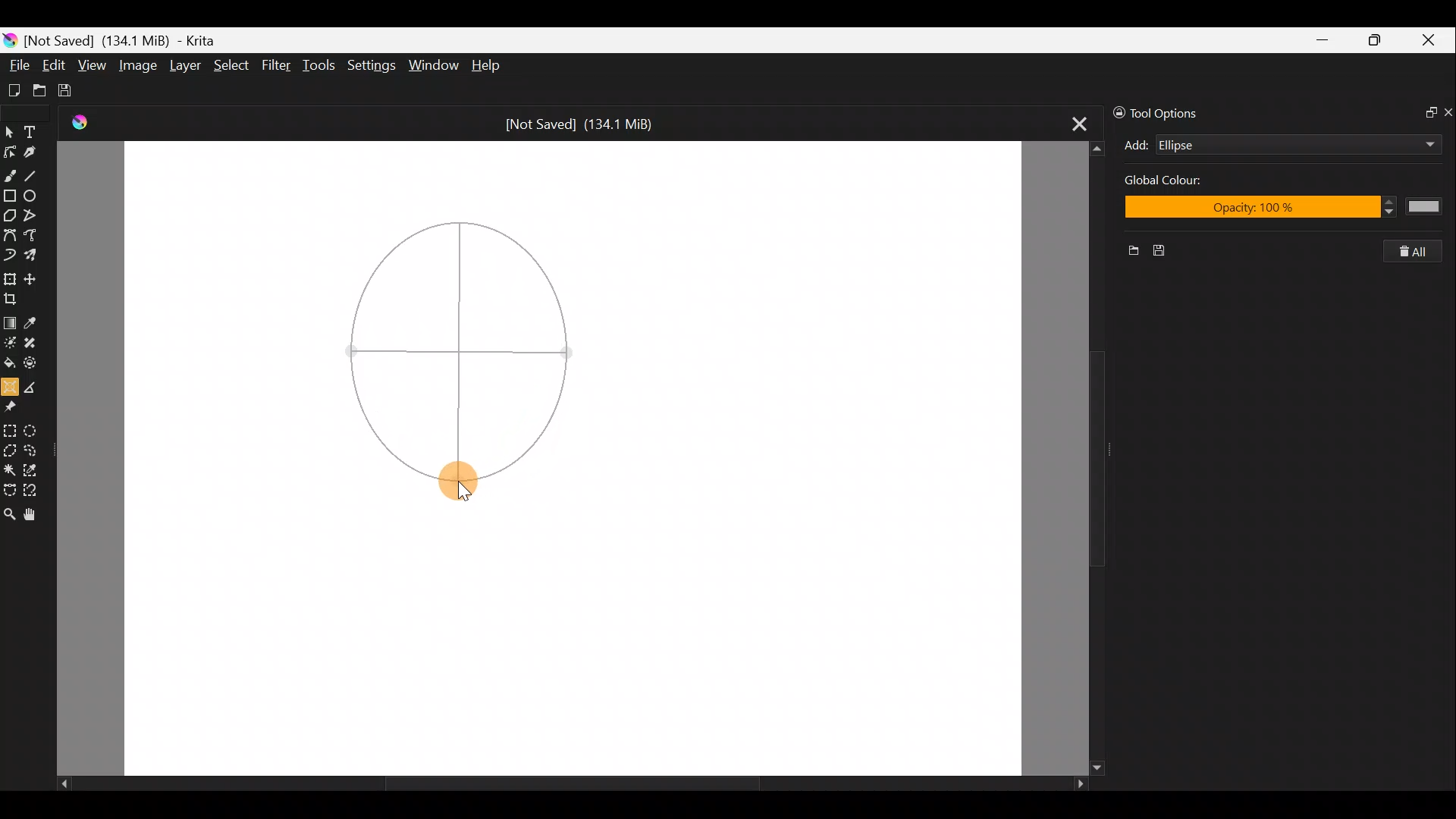  What do you see at coordinates (587, 122) in the screenshot?
I see `[Not Saved] (134.1 MiB)` at bounding box center [587, 122].